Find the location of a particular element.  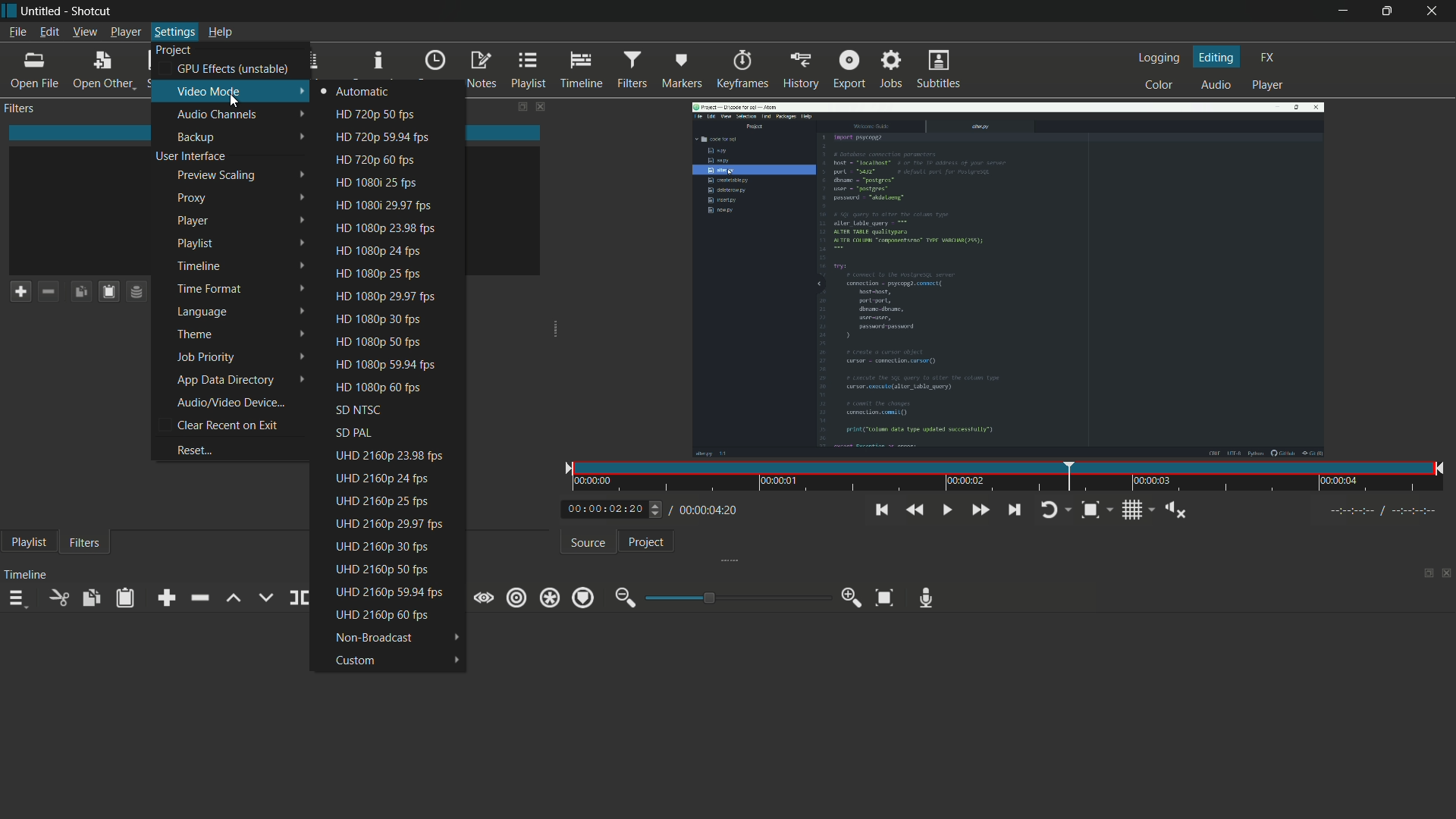

toggle player looping is located at coordinates (1055, 510).